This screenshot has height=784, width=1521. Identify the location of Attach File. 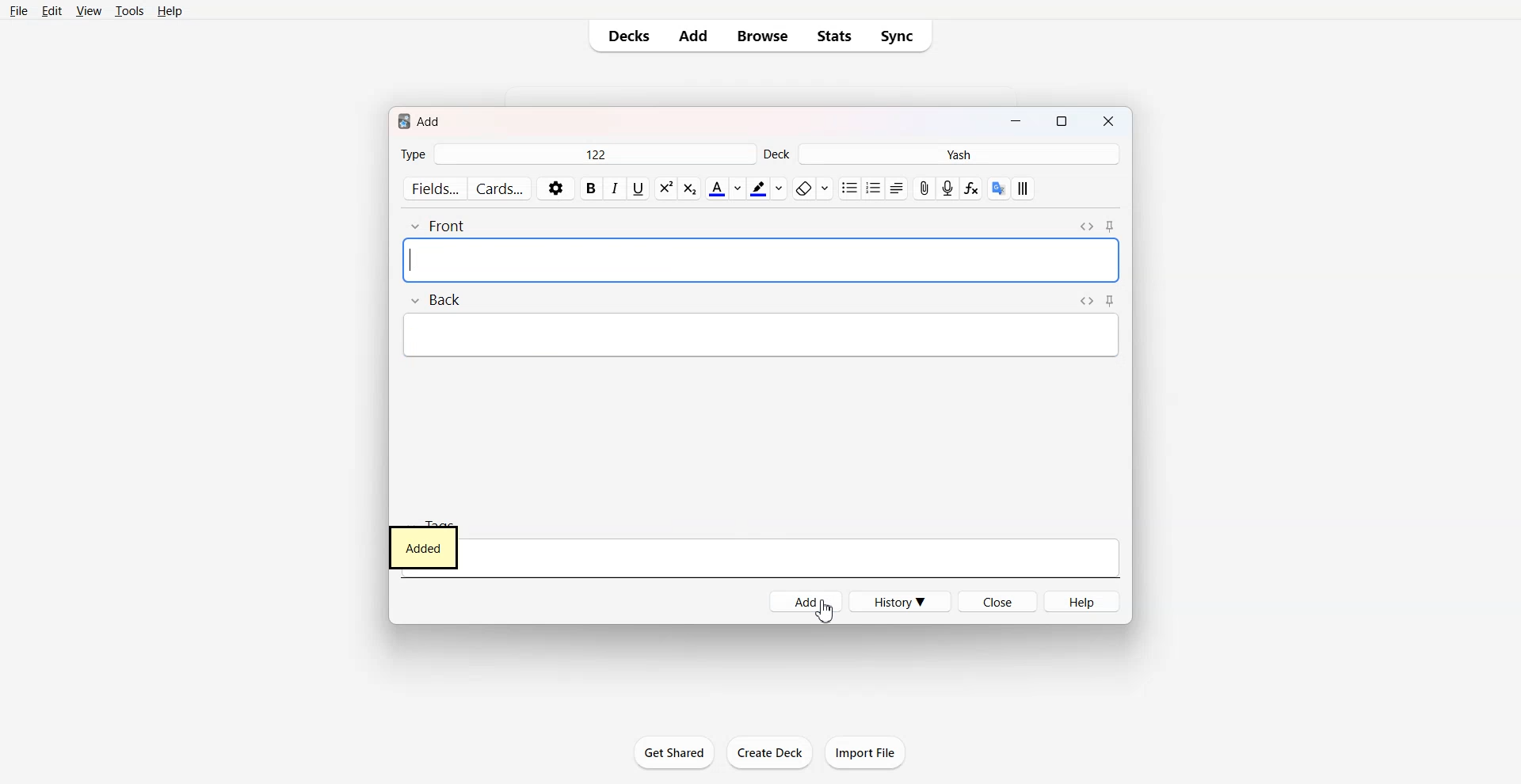
(924, 188).